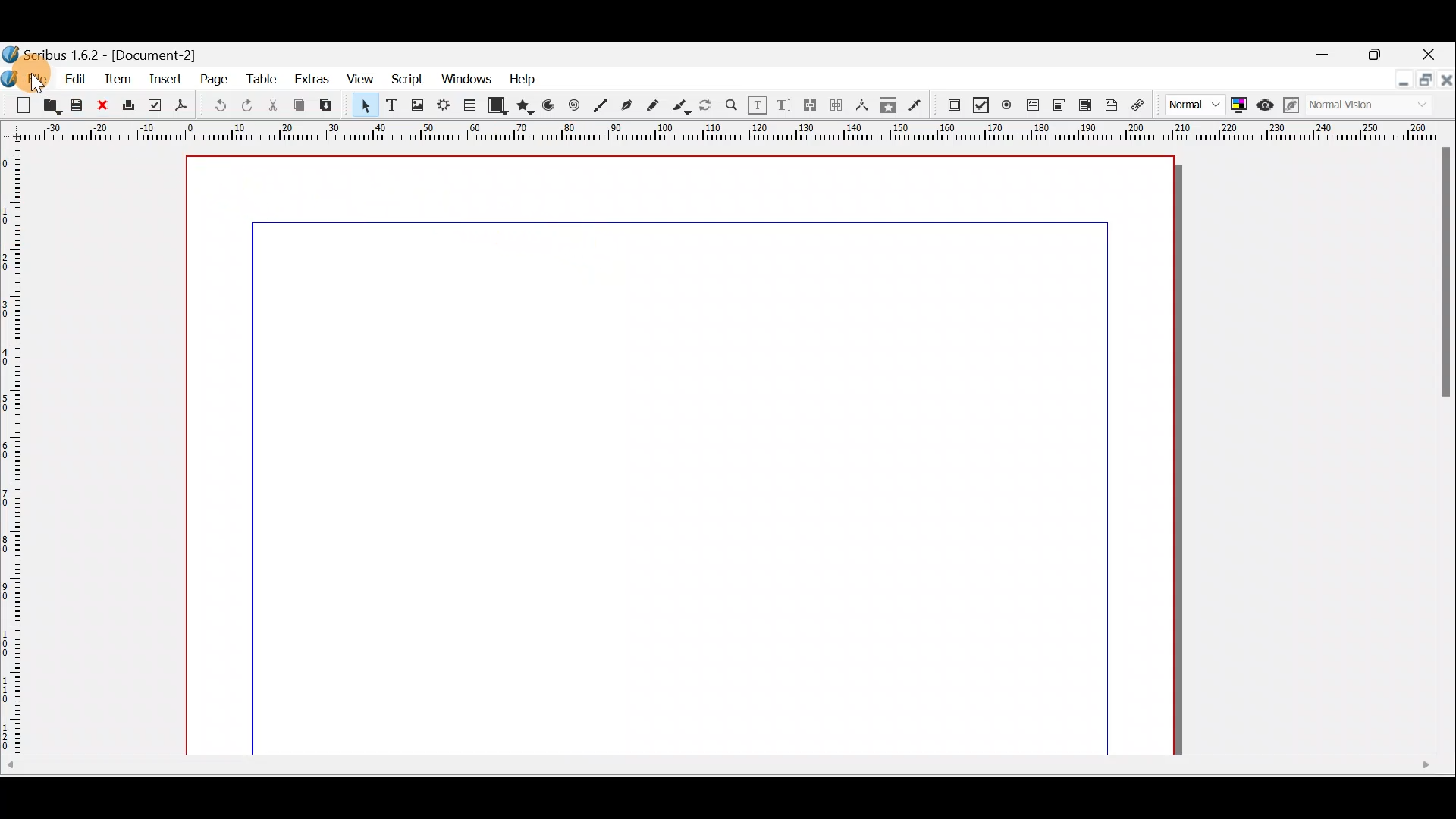  What do you see at coordinates (1447, 81) in the screenshot?
I see `Close` at bounding box center [1447, 81].